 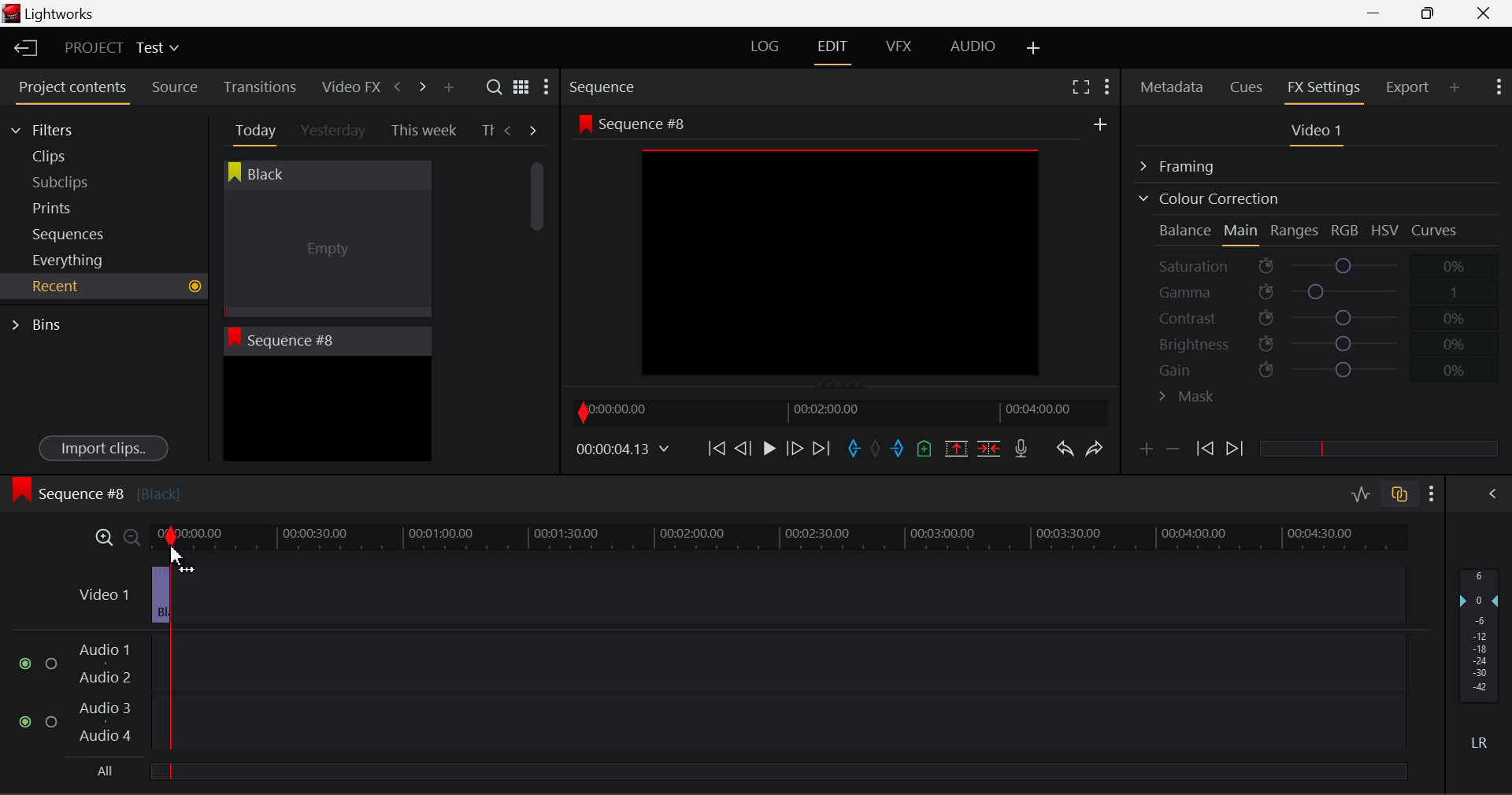 I want to click on Cues Panel, so click(x=1248, y=85).